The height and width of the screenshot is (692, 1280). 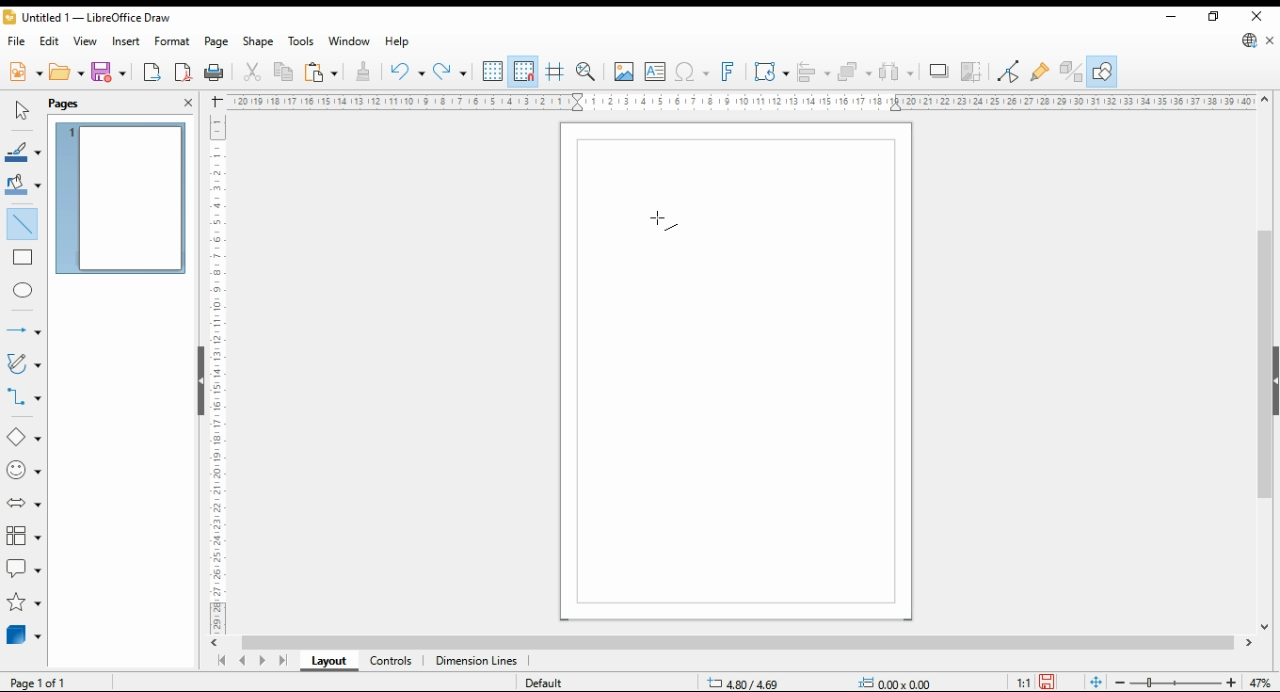 What do you see at coordinates (284, 662) in the screenshot?
I see `last page` at bounding box center [284, 662].